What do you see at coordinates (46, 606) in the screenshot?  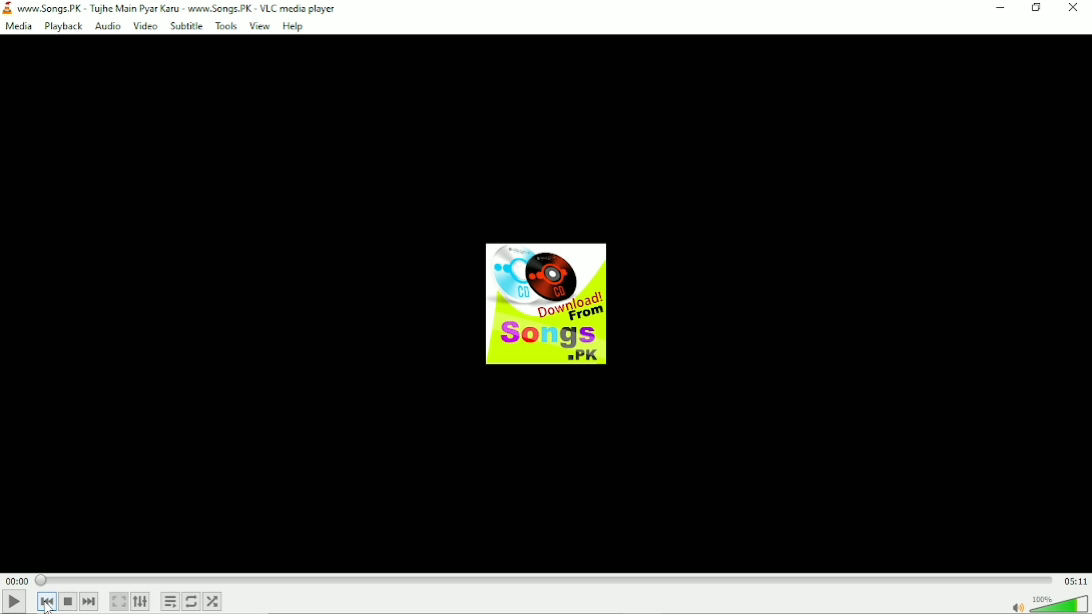 I see `cursor` at bounding box center [46, 606].